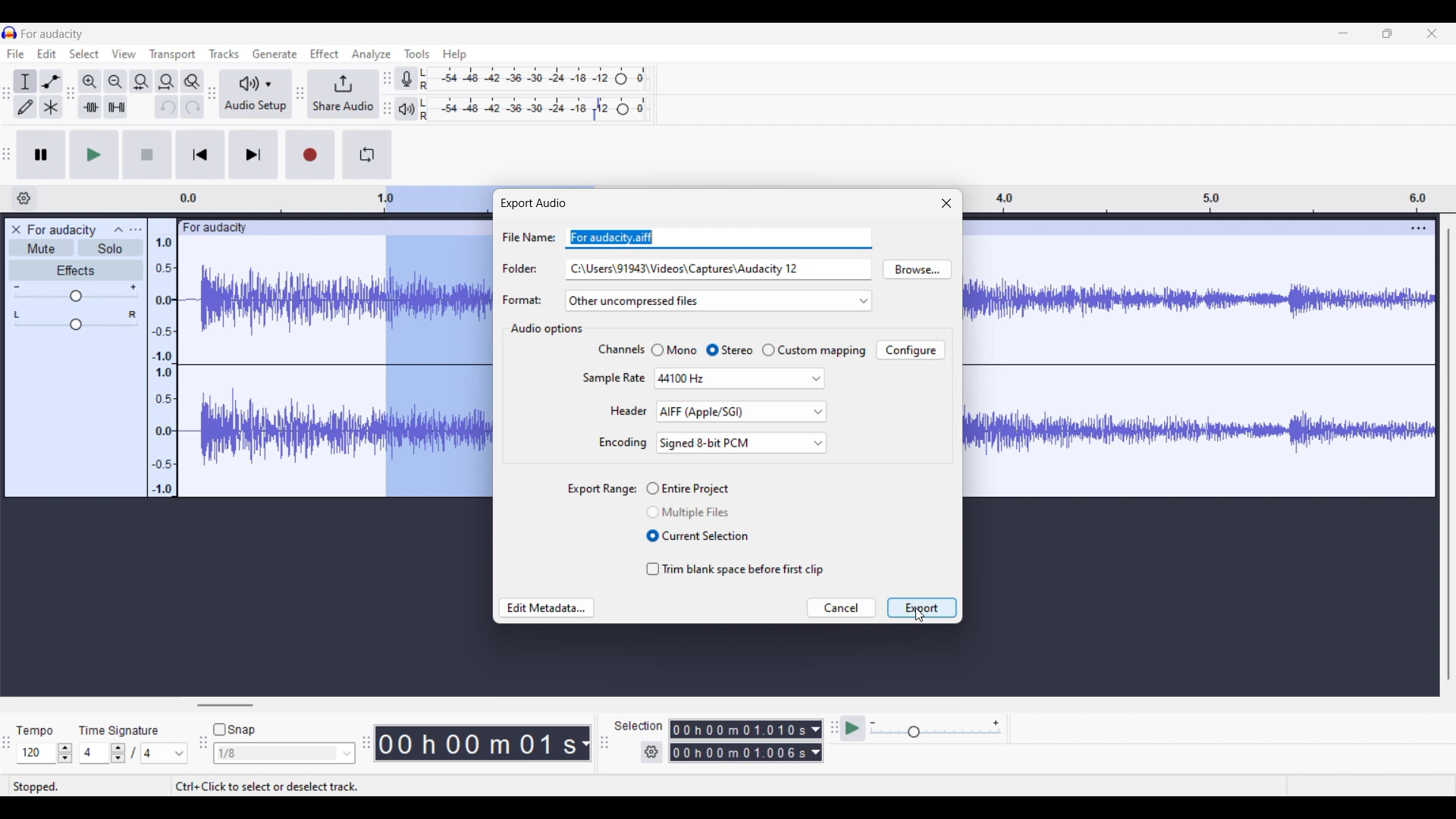  Describe the element at coordinates (623, 444) in the screenshot. I see `Encoding` at that location.